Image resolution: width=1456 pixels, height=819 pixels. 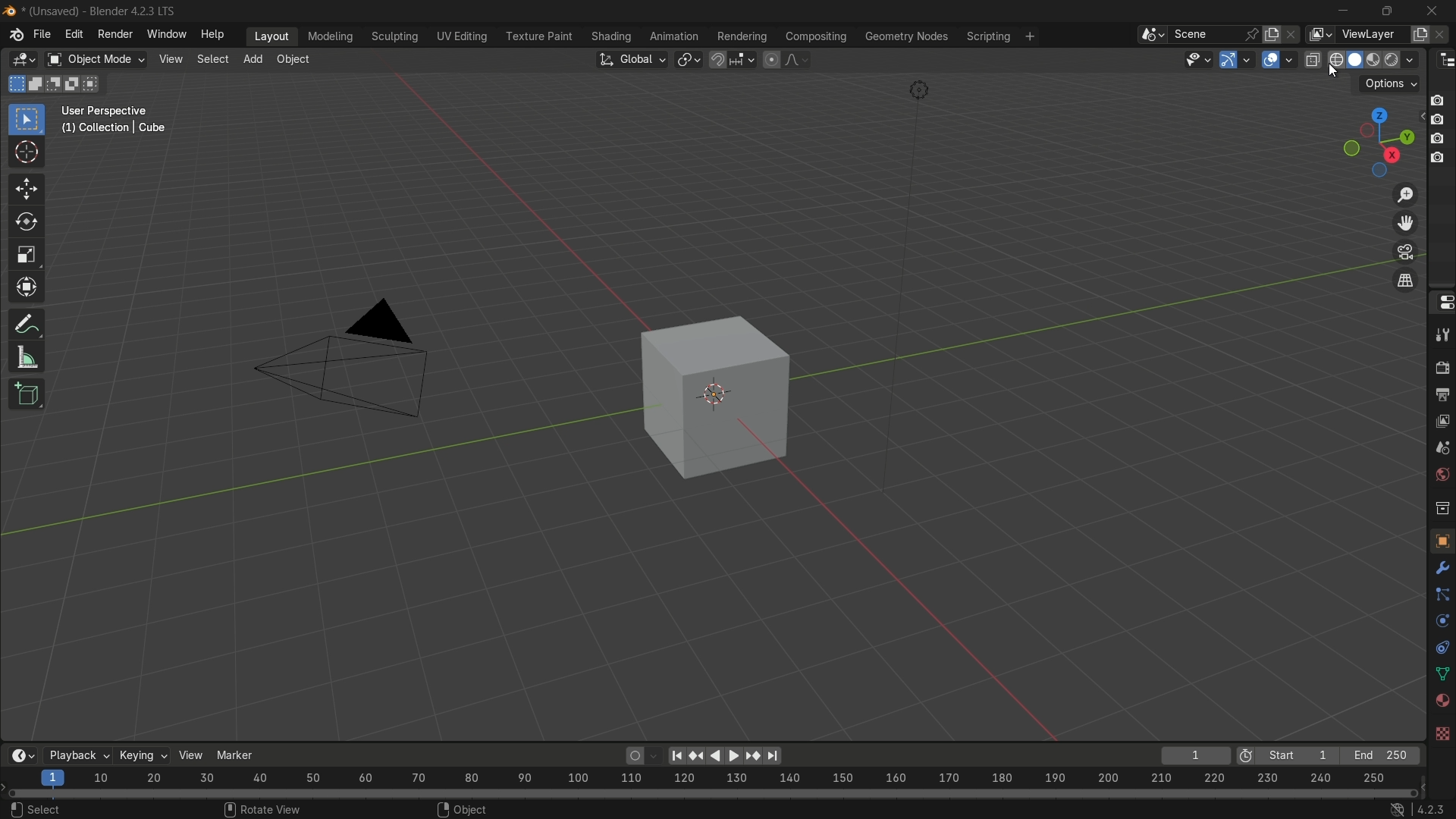 I want to click on transform pivot point, so click(x=689, y=60).